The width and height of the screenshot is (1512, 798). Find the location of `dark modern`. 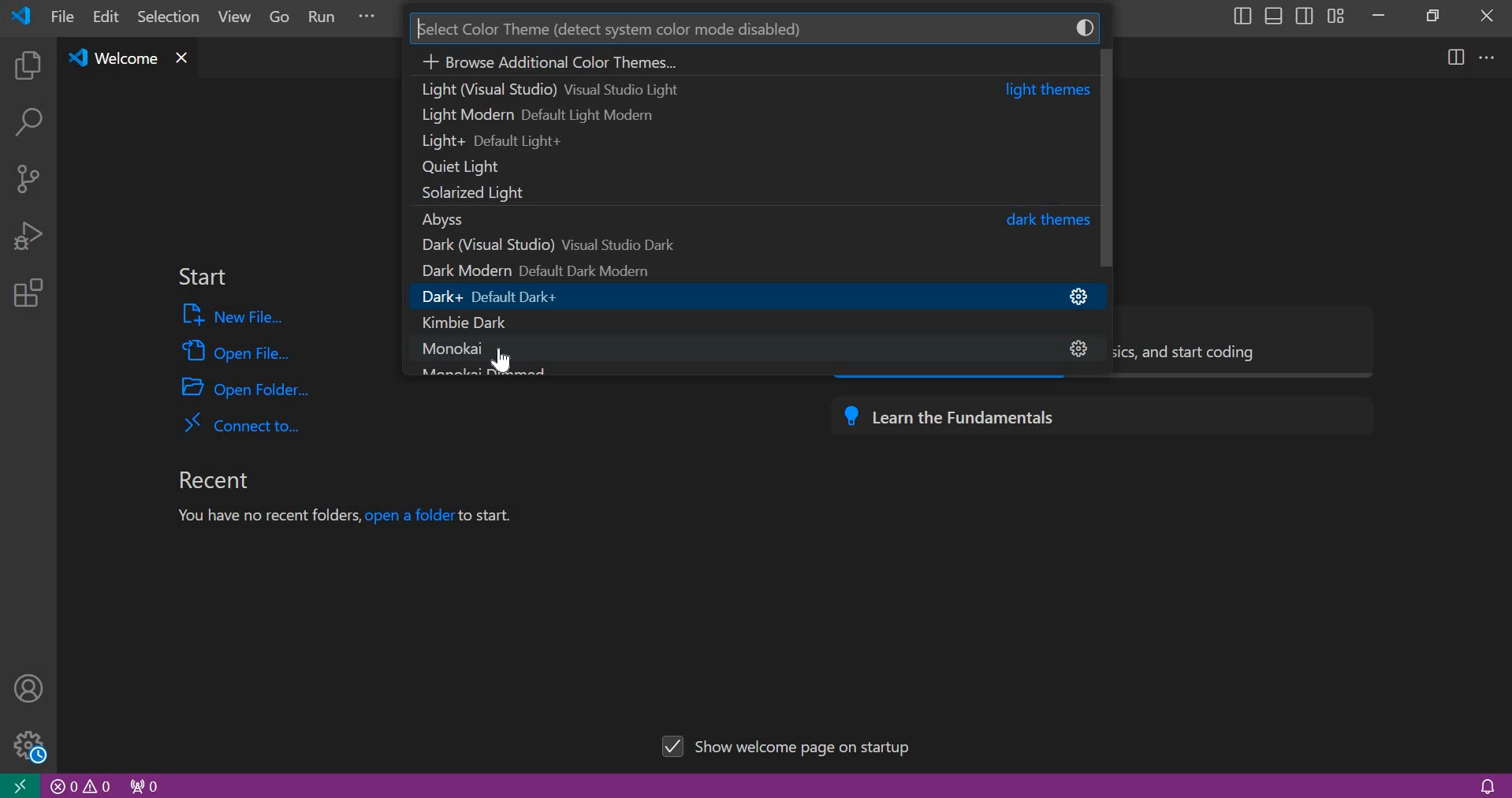

dark modern is located at coordinates (735, 270).